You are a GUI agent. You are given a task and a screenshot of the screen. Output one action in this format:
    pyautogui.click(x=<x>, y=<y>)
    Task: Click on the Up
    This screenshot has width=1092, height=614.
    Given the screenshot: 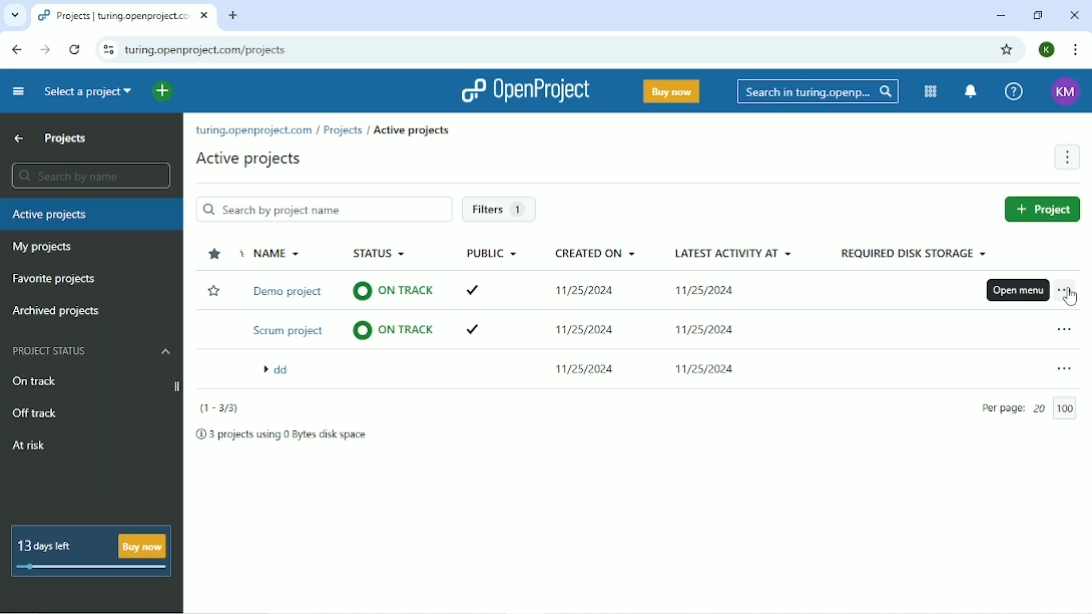 What is the action you would take?
    pyautogui.click(x=19, y=139)
    